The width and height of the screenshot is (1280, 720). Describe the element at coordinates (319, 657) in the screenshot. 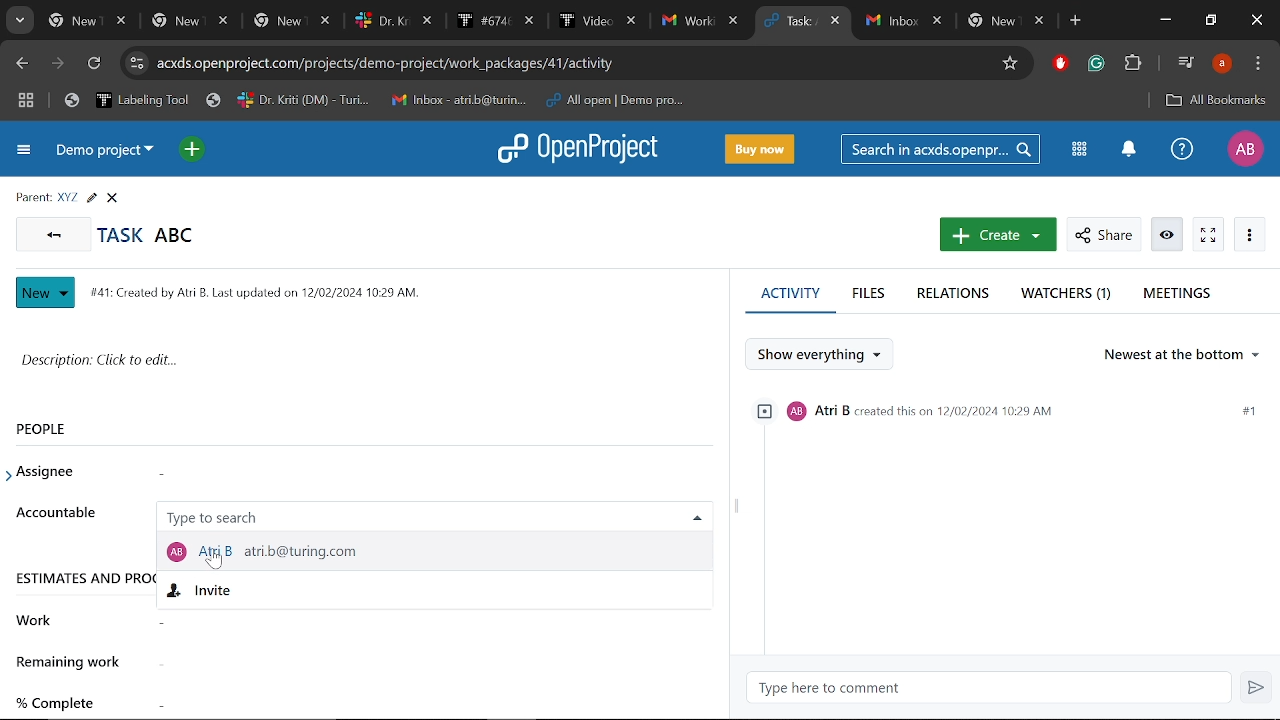

I see `Remaining work` at that location.